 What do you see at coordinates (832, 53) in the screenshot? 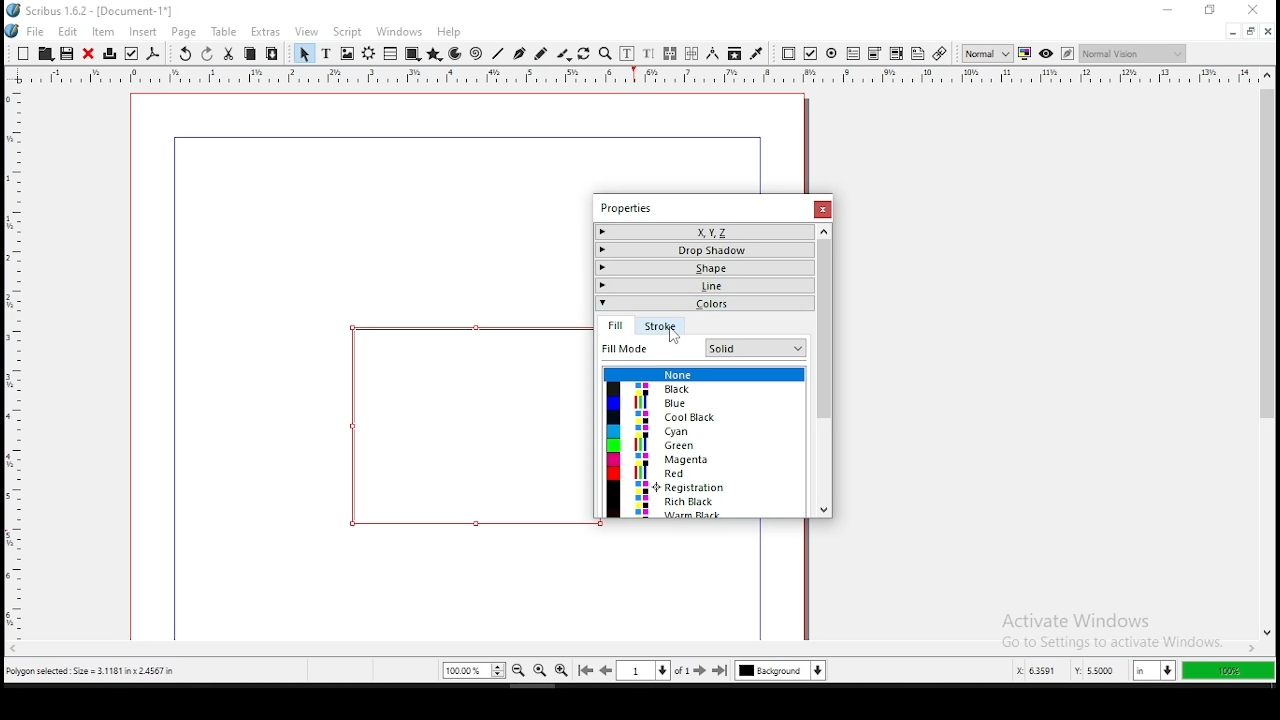
I see `pdf radio button` at bounding box center [832, 53].